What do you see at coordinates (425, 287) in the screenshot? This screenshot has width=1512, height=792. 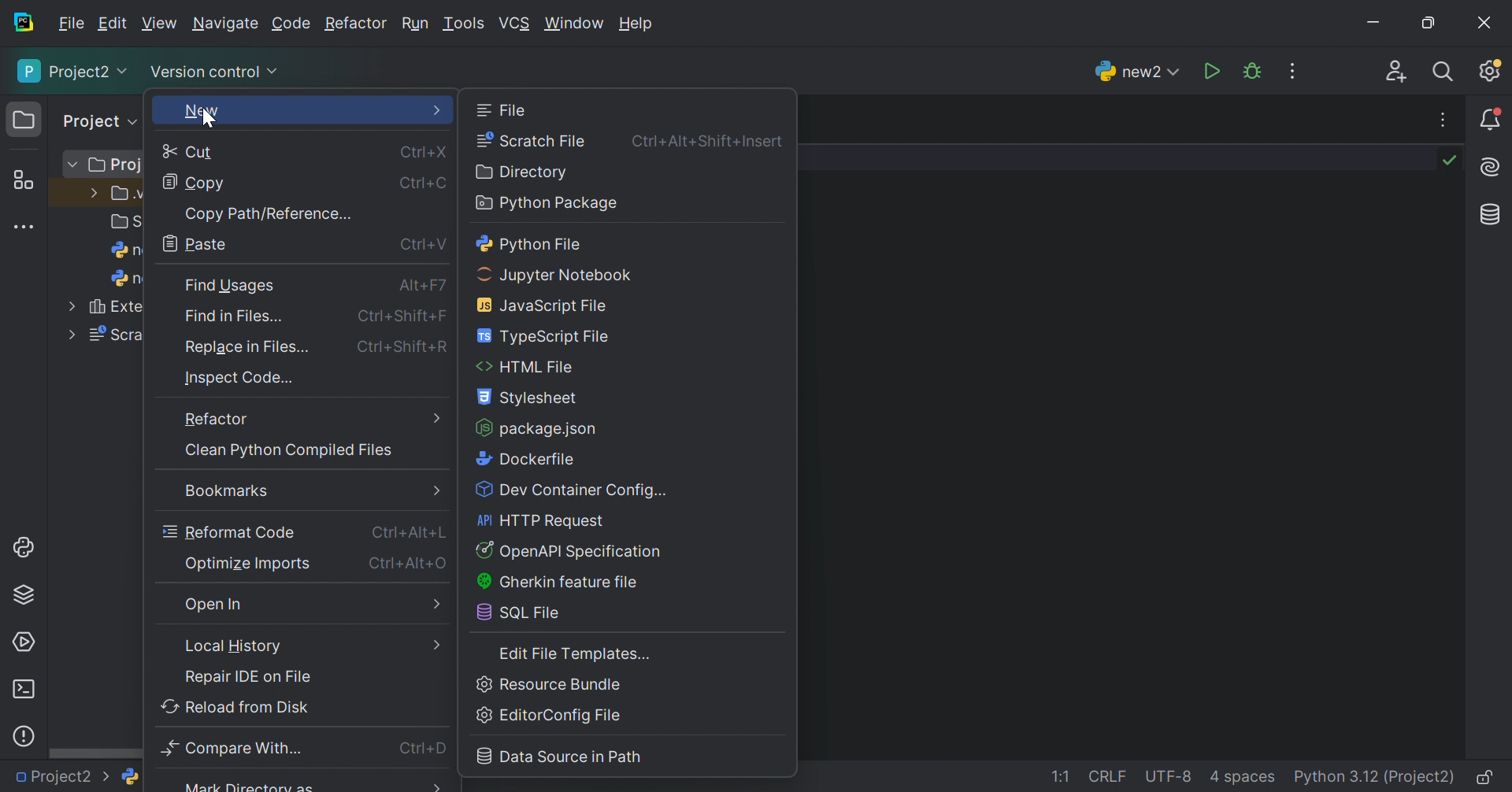 I see `Alt+F7` at bounding box center [425, 287].